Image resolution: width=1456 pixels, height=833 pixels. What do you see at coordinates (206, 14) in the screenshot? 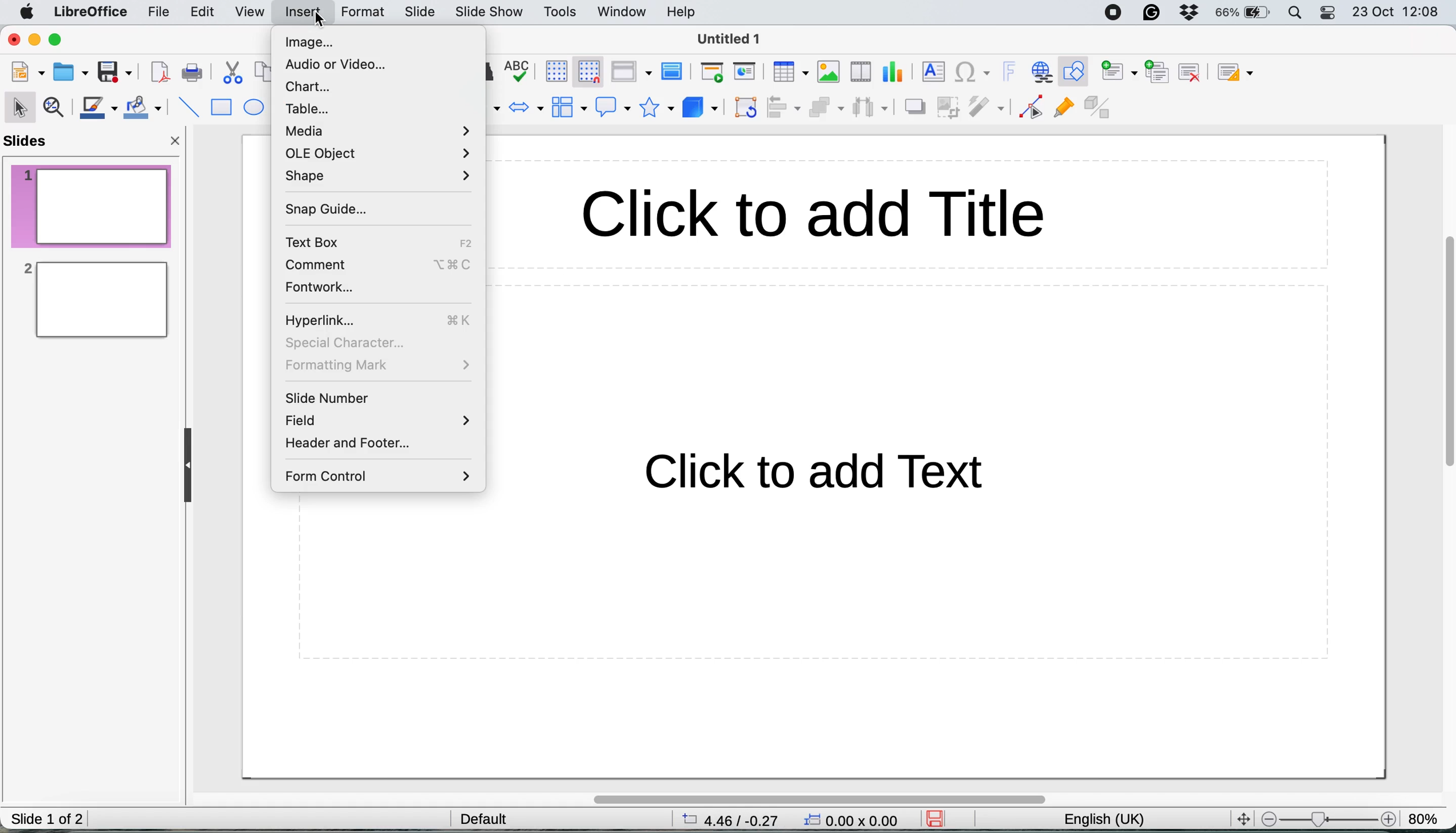
I see `edit` at bounding box center [206, 14].